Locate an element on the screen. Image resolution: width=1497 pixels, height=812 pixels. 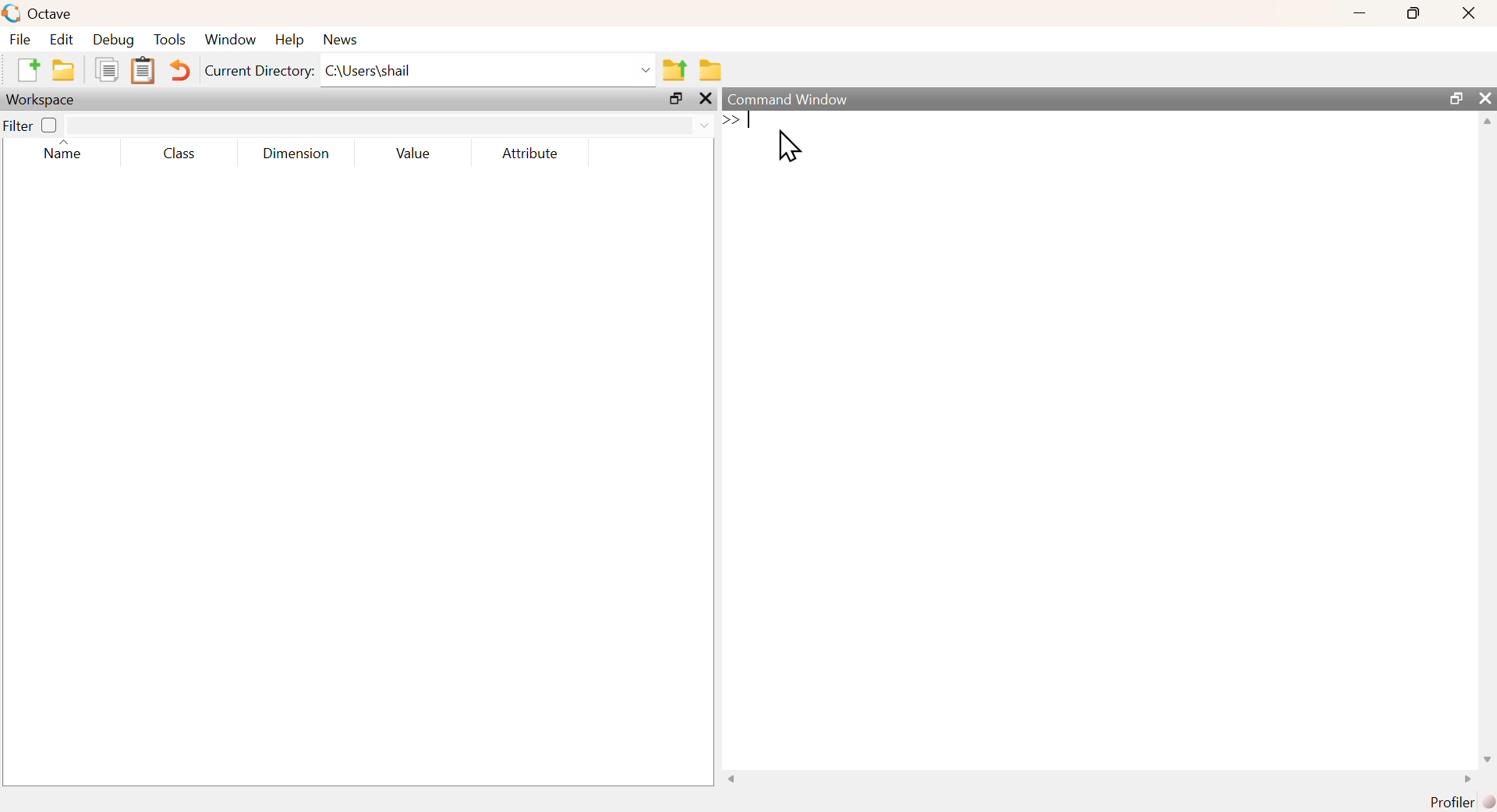
scroll left is located at coordinates (731, 779).